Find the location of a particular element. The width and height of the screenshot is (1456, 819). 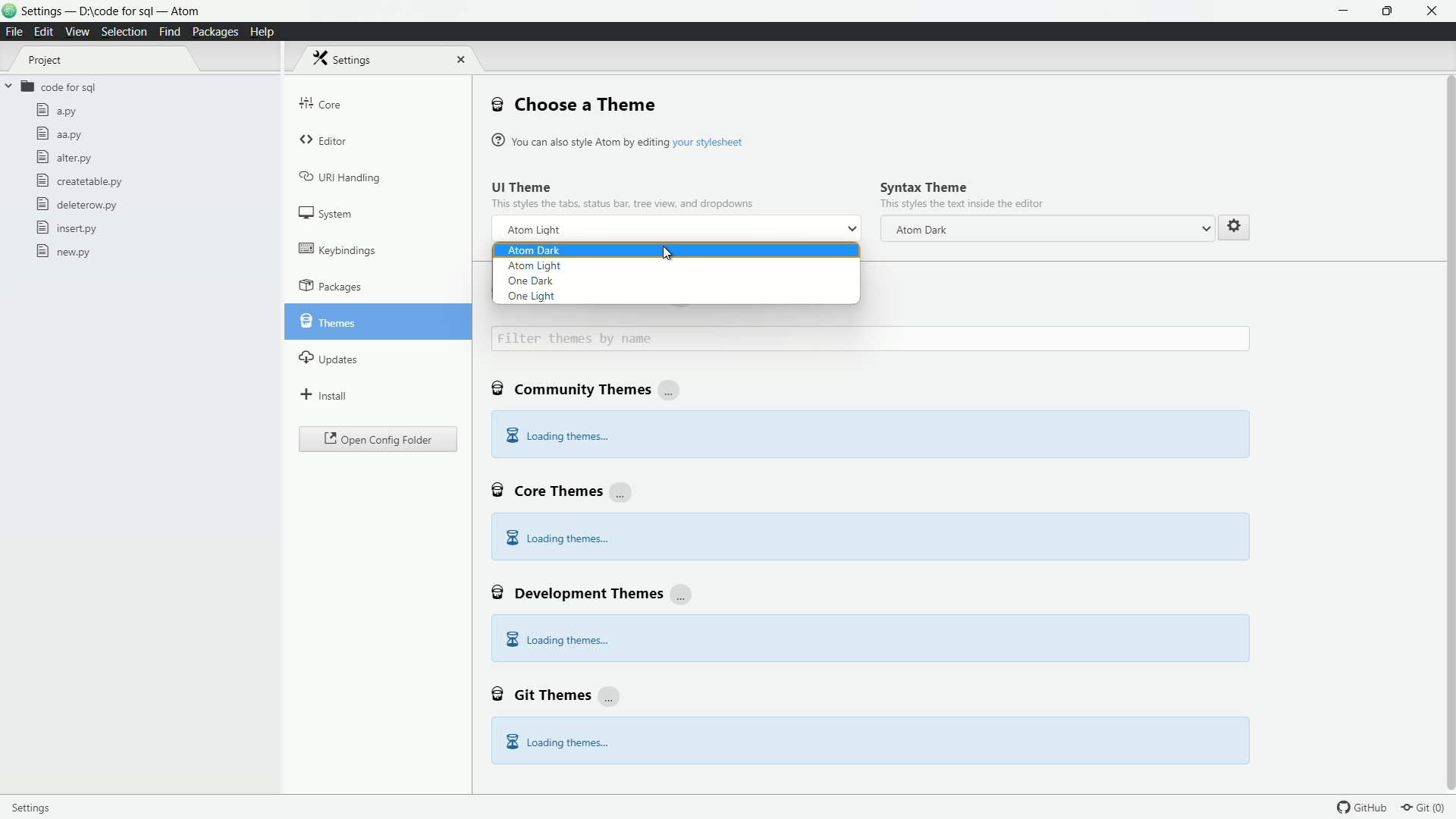

this styles the text inside the editor is located at coordinates (962, 205).